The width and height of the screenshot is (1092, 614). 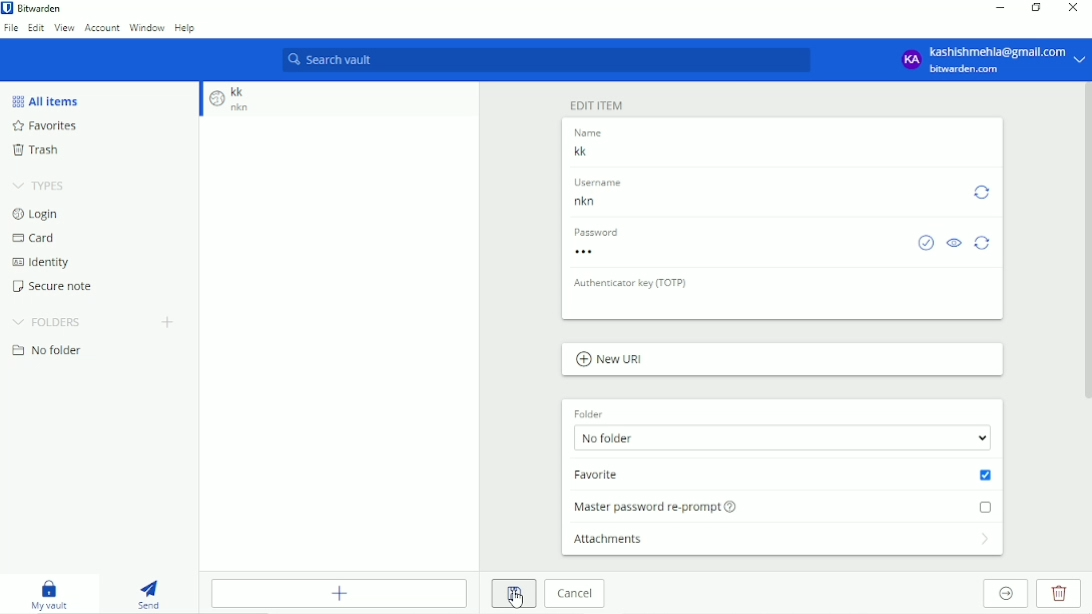 What do you see at coordinates (55, 287) in the screenshot?
I see `Secure note` at bounding box center [55, 287].